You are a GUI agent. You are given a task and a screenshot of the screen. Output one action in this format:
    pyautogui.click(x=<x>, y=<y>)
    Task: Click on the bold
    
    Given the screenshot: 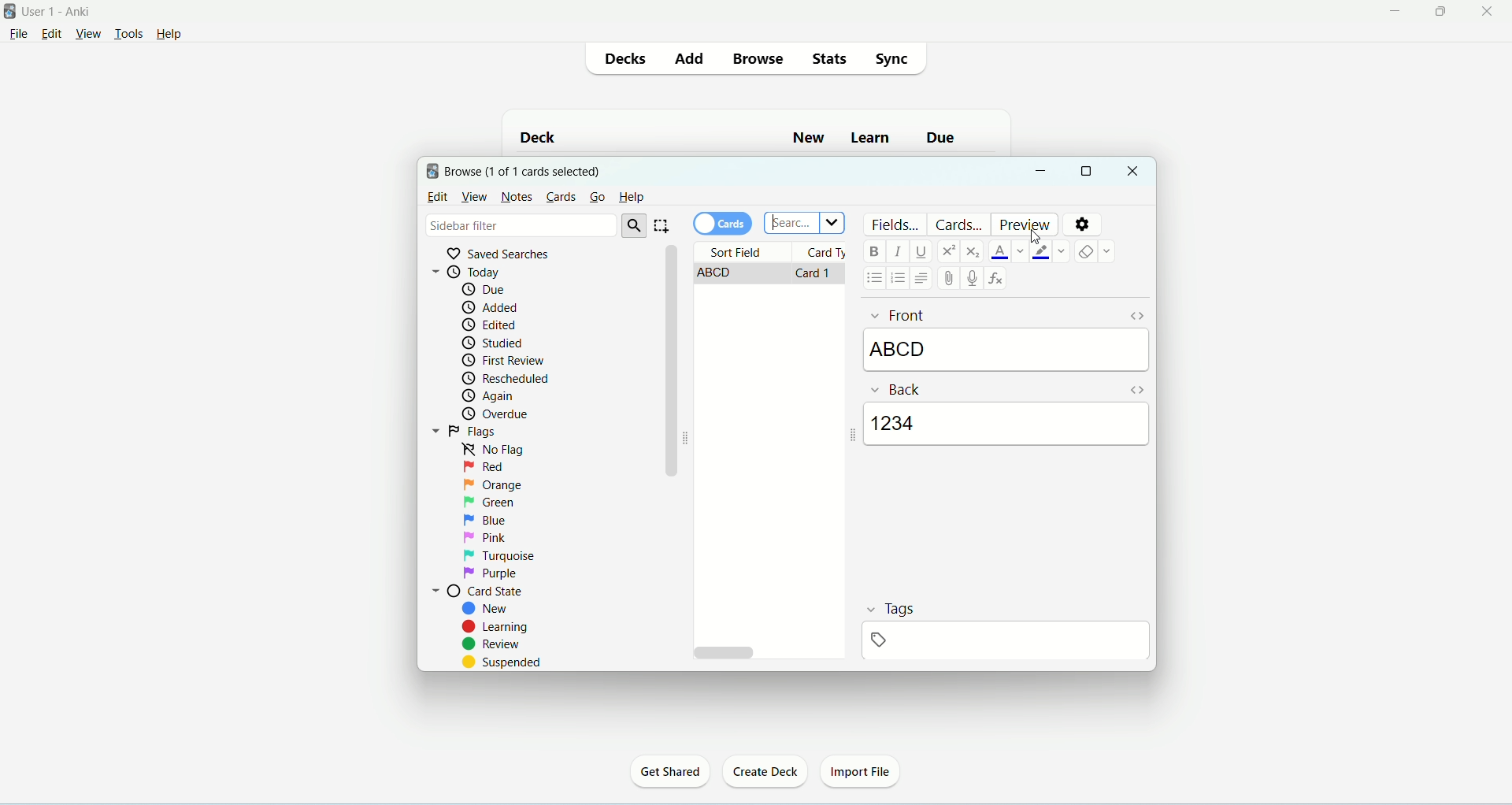 What is the action you would take?
    pyautogui.click(x=877, y=251)
    